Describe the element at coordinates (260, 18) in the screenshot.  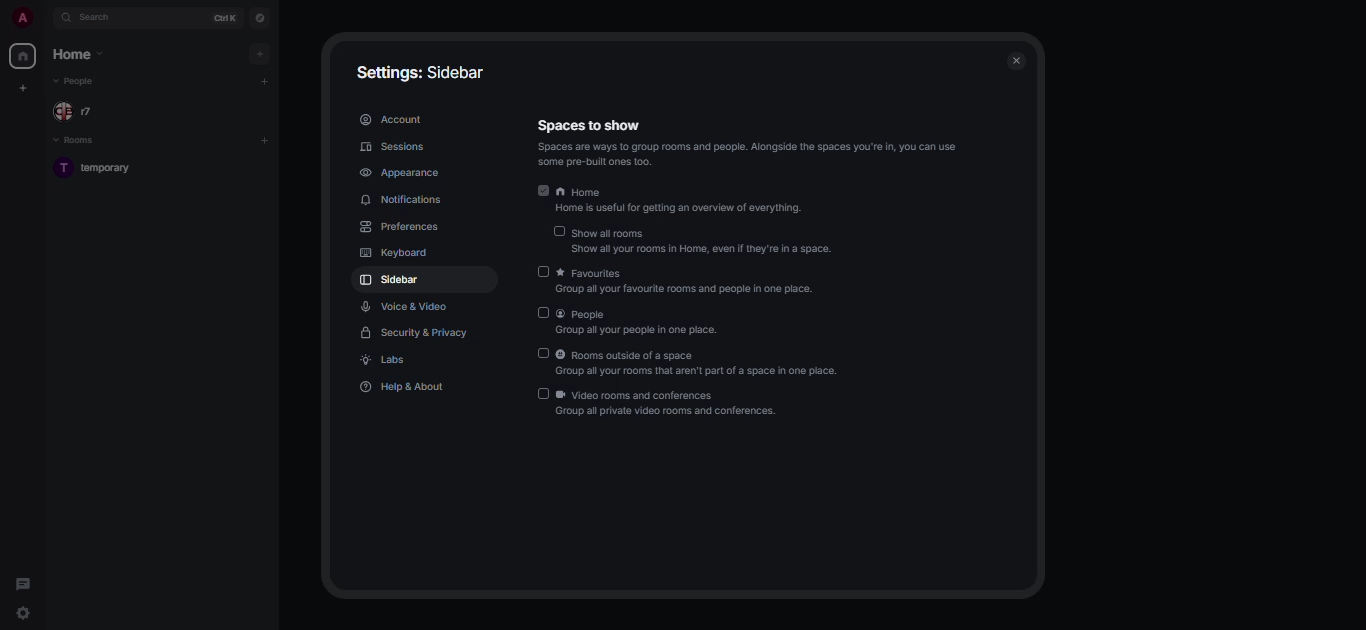
I see `navigator` at that location.